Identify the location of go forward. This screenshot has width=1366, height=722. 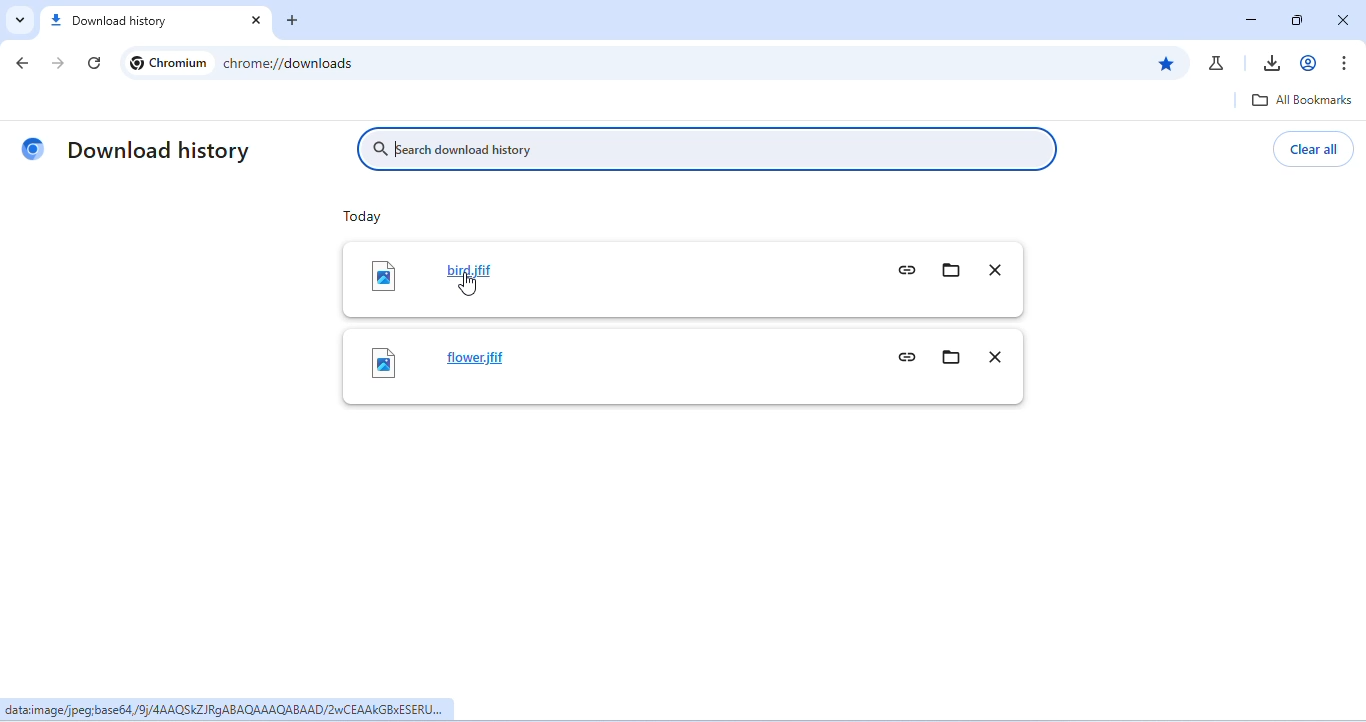
(59, 65).